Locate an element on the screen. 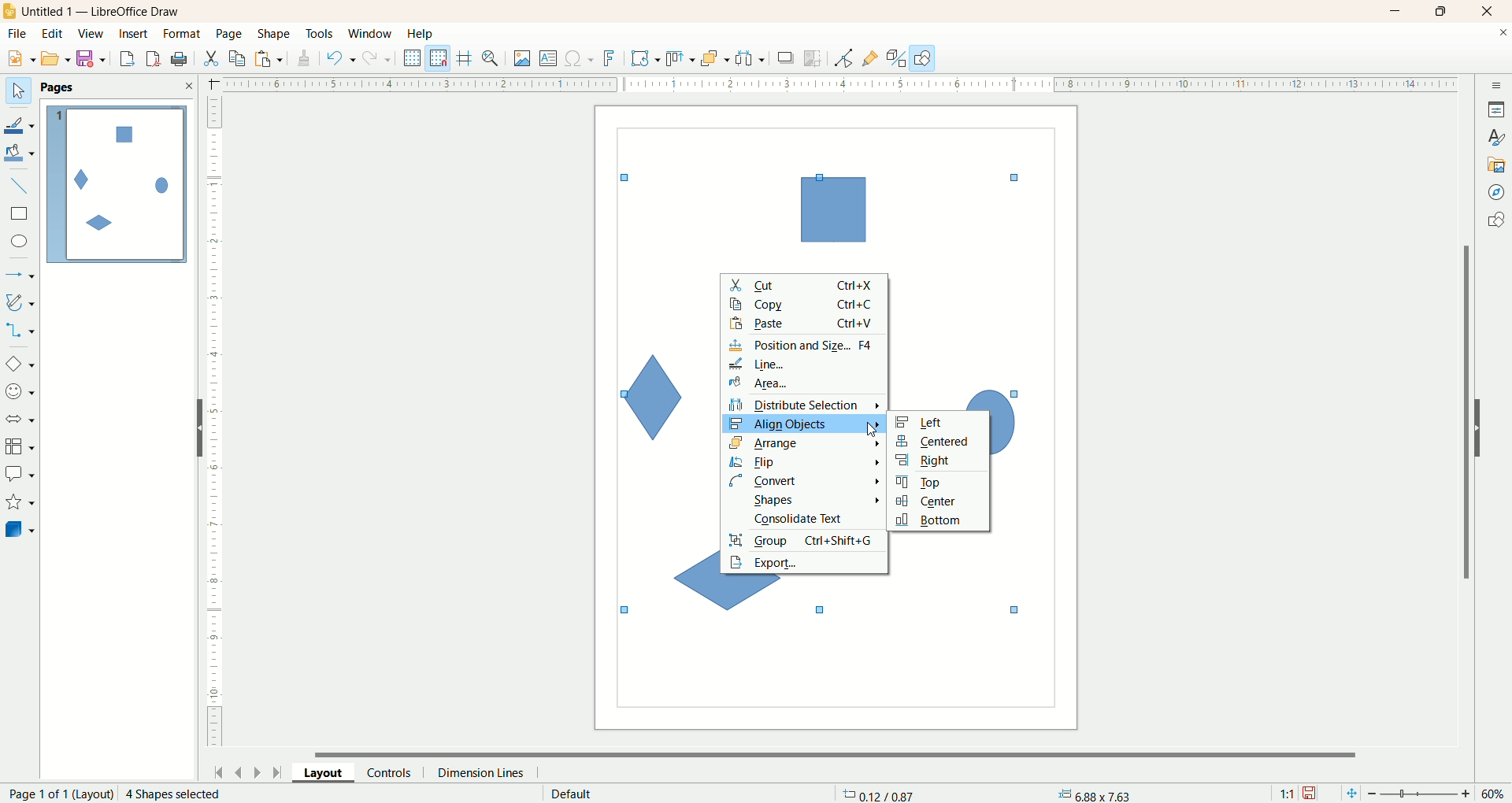 The height and width of the screenshot is (803, 1512). fontwork text is located at coordinates (612, 59).